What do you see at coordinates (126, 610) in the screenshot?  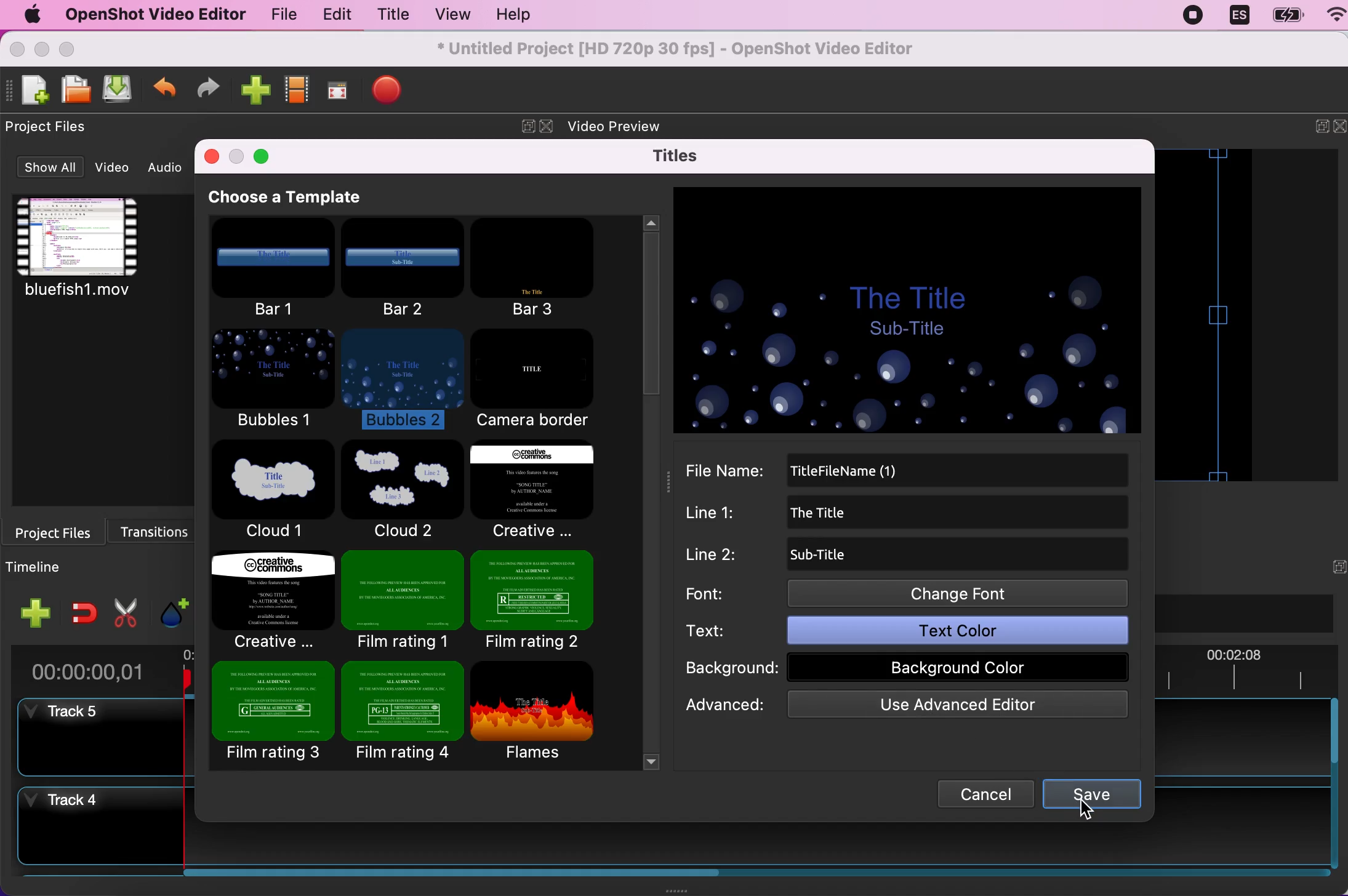 I see `cut` at bounding box center [126, 610].